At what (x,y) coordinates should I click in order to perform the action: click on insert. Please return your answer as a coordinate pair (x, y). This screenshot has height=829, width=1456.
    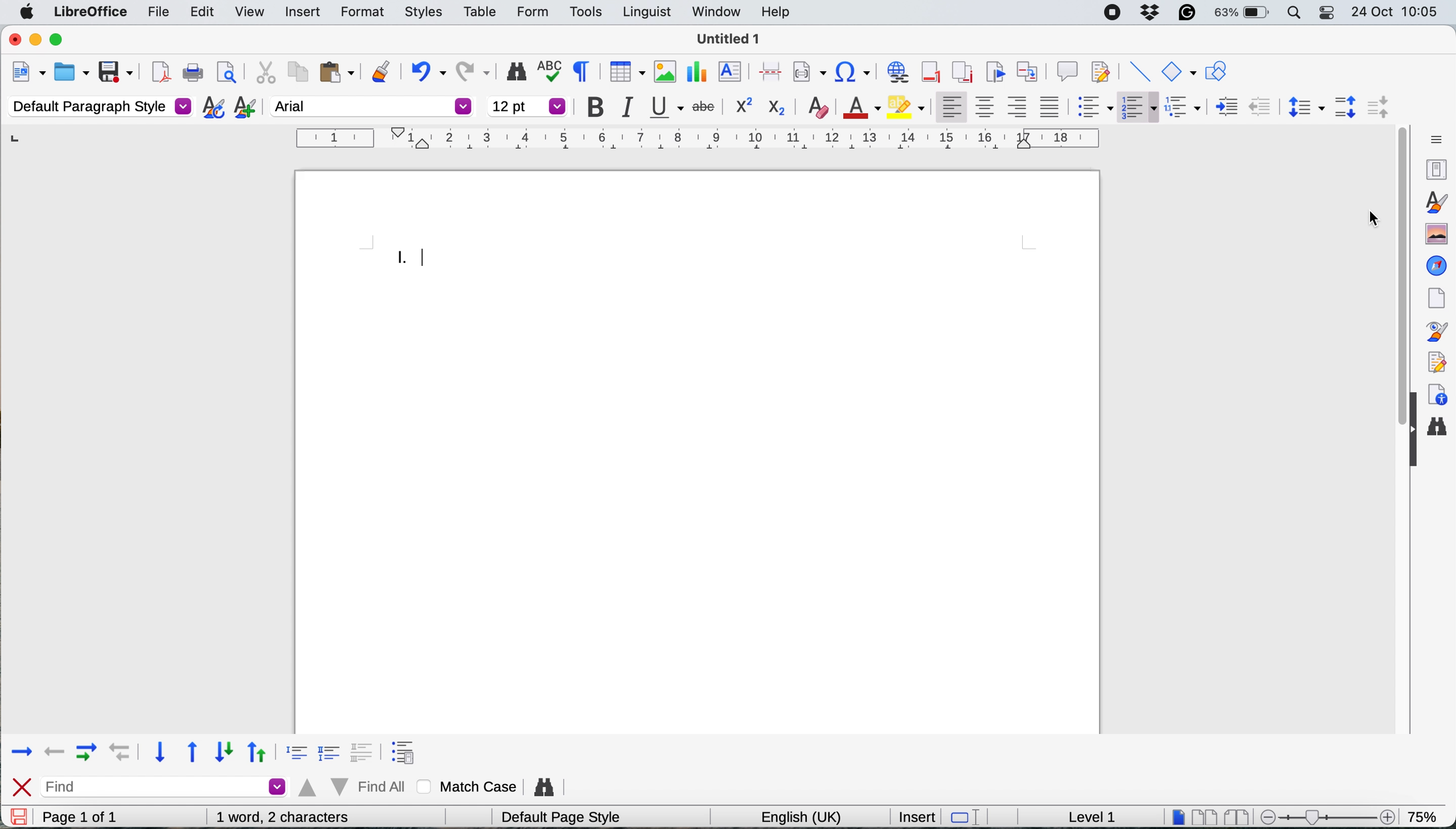
    Looking at the image, I should click on (302, 11).